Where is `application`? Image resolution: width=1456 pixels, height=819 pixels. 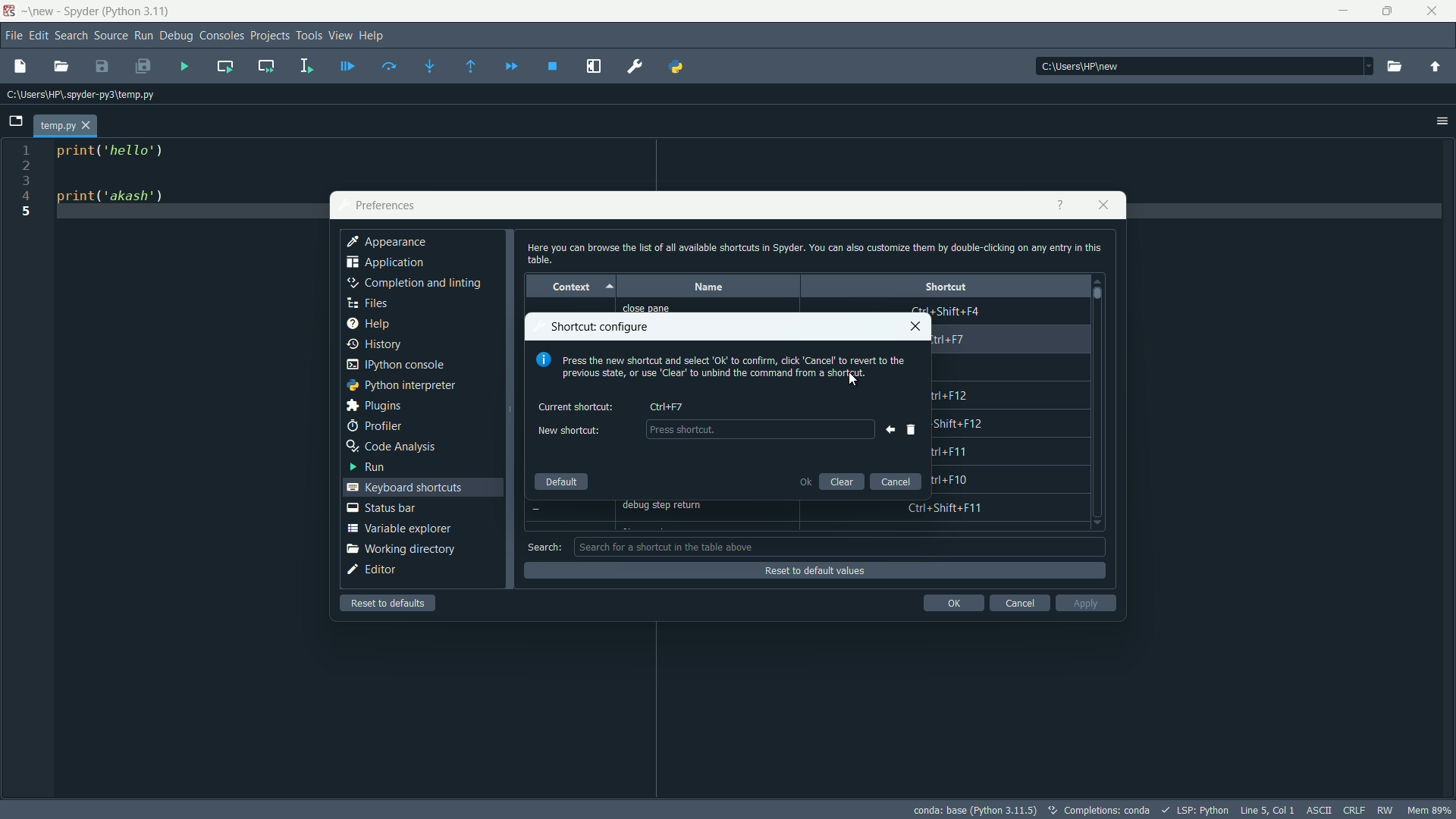
application is located at coordinates (386, 265).